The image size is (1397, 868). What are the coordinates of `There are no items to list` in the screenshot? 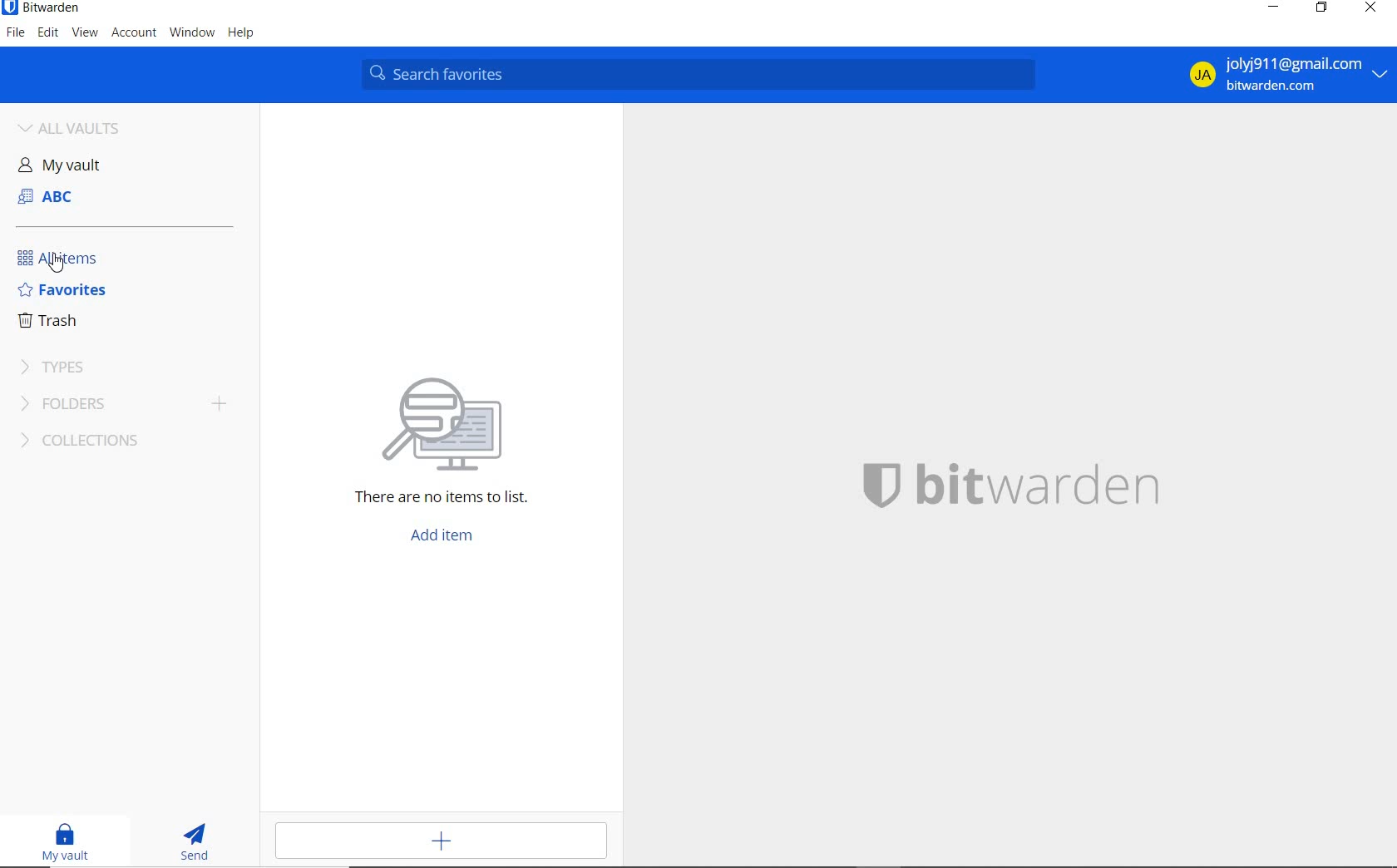 It's located at (424, 501).